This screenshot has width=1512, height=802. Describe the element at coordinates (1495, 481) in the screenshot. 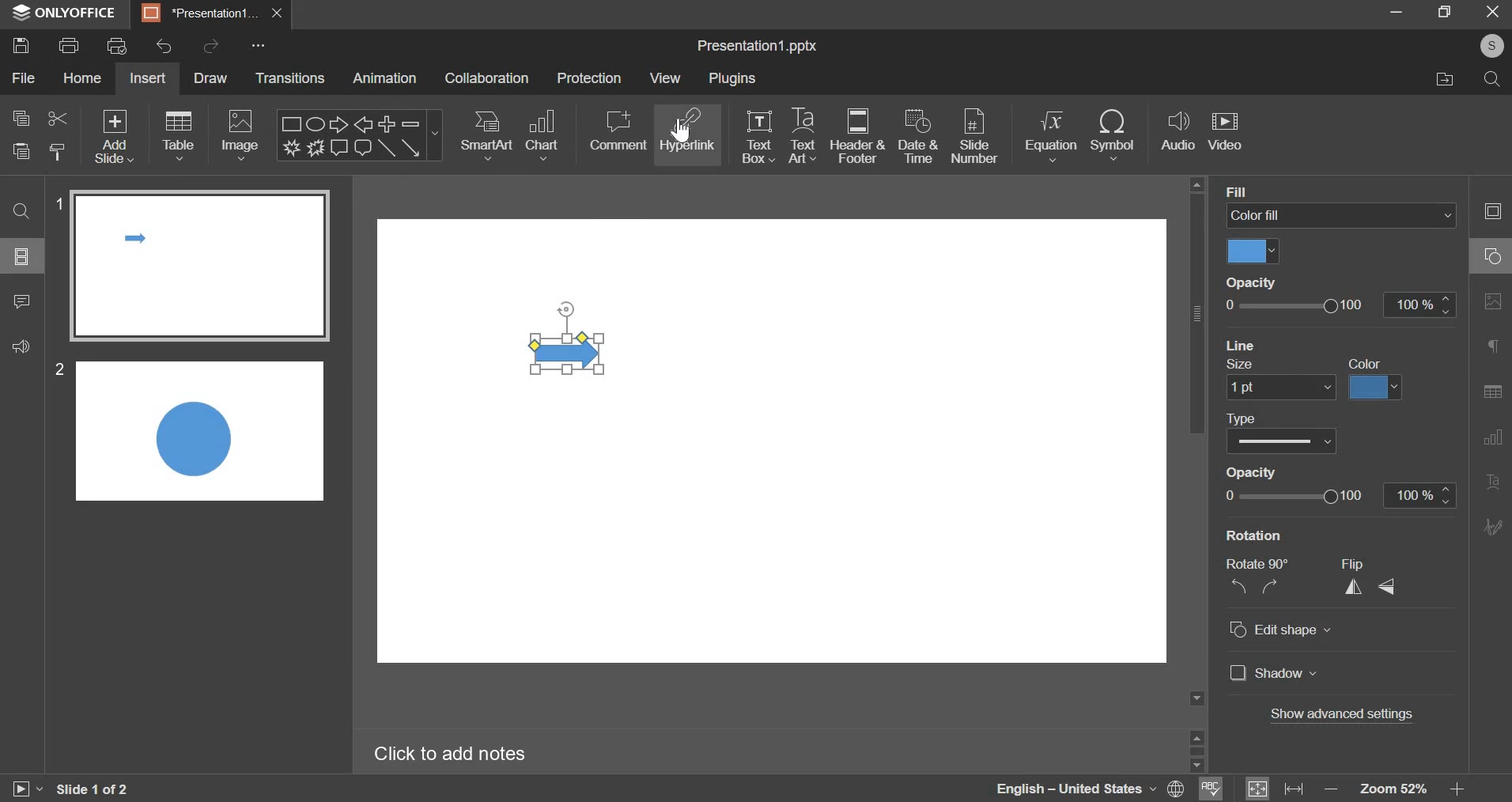

I see `Text Art settings` at that location.